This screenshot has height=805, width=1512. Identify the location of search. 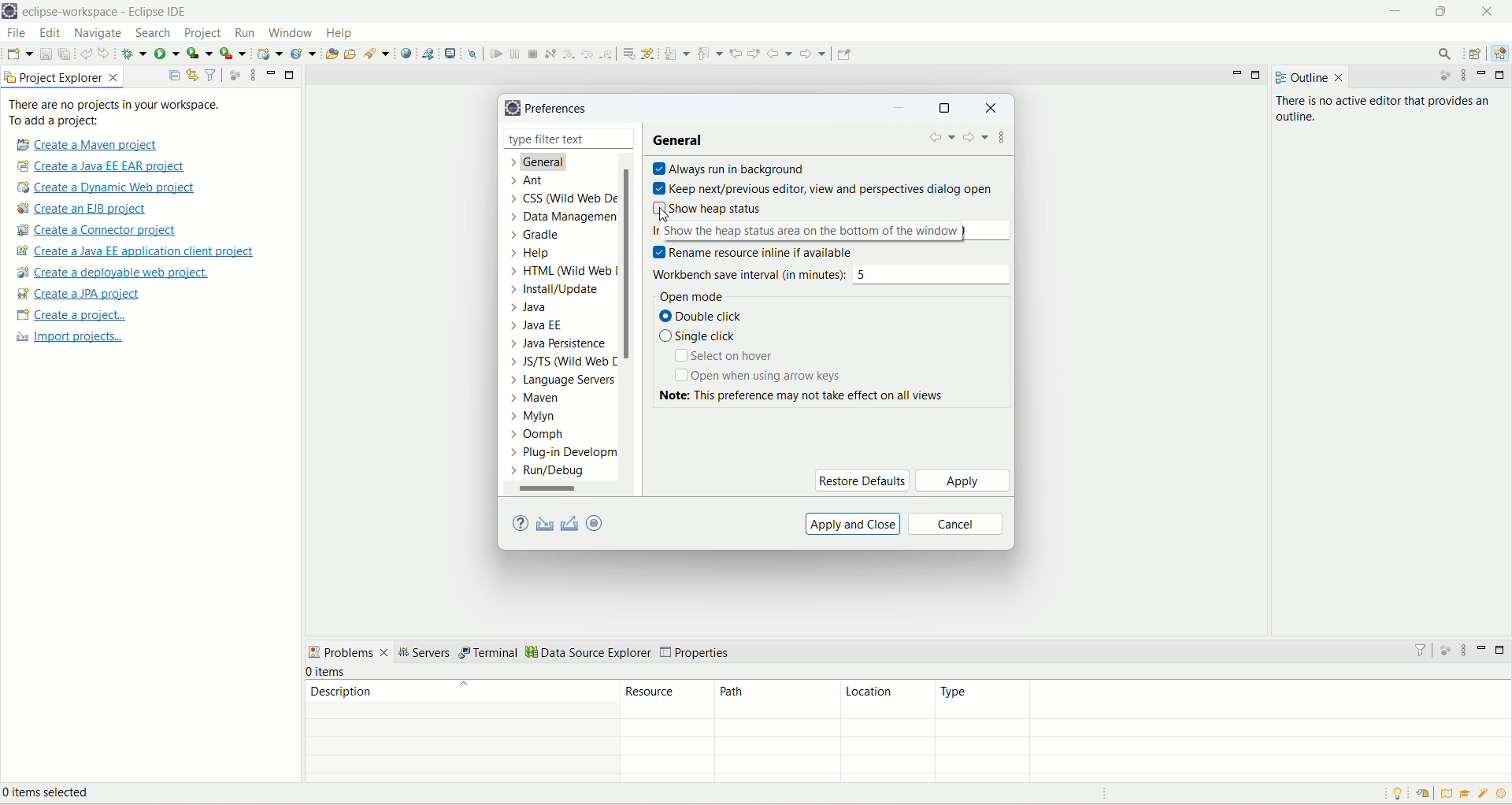
(155, 34).